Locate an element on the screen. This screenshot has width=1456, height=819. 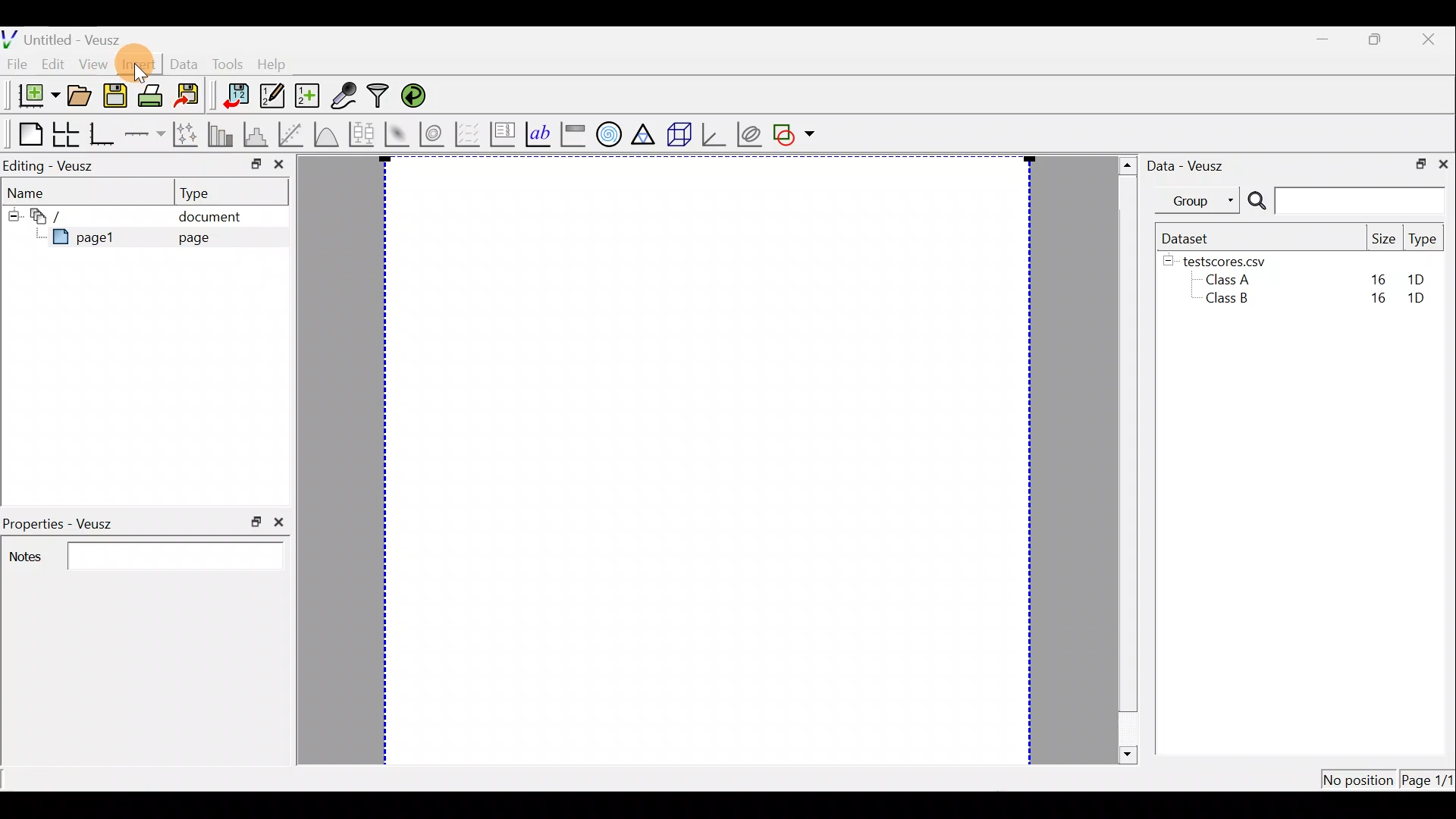
Cursor is located at coordinates (138, 65).